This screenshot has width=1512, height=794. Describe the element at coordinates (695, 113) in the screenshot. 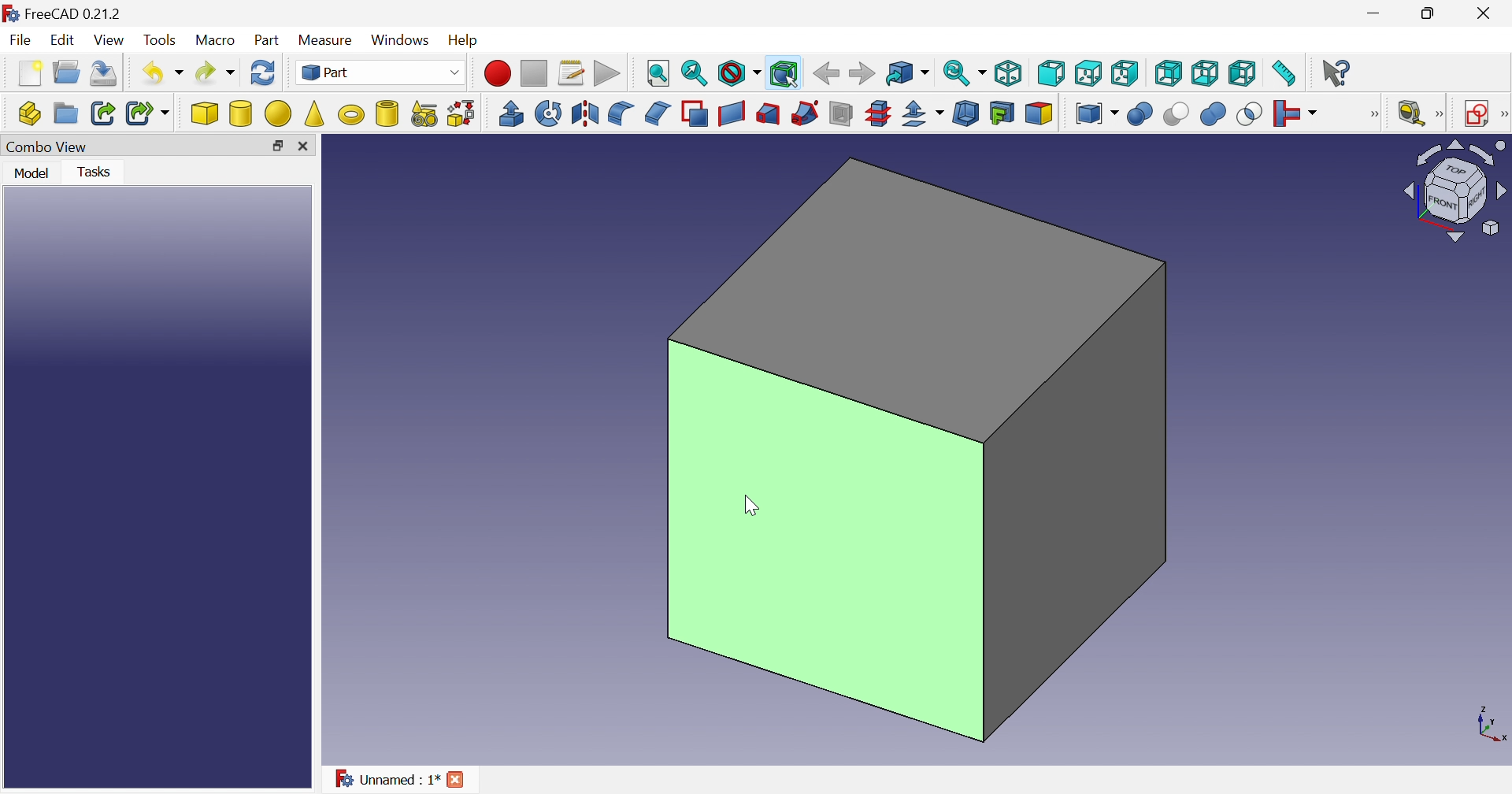

I see `Make face from wires` at that location.